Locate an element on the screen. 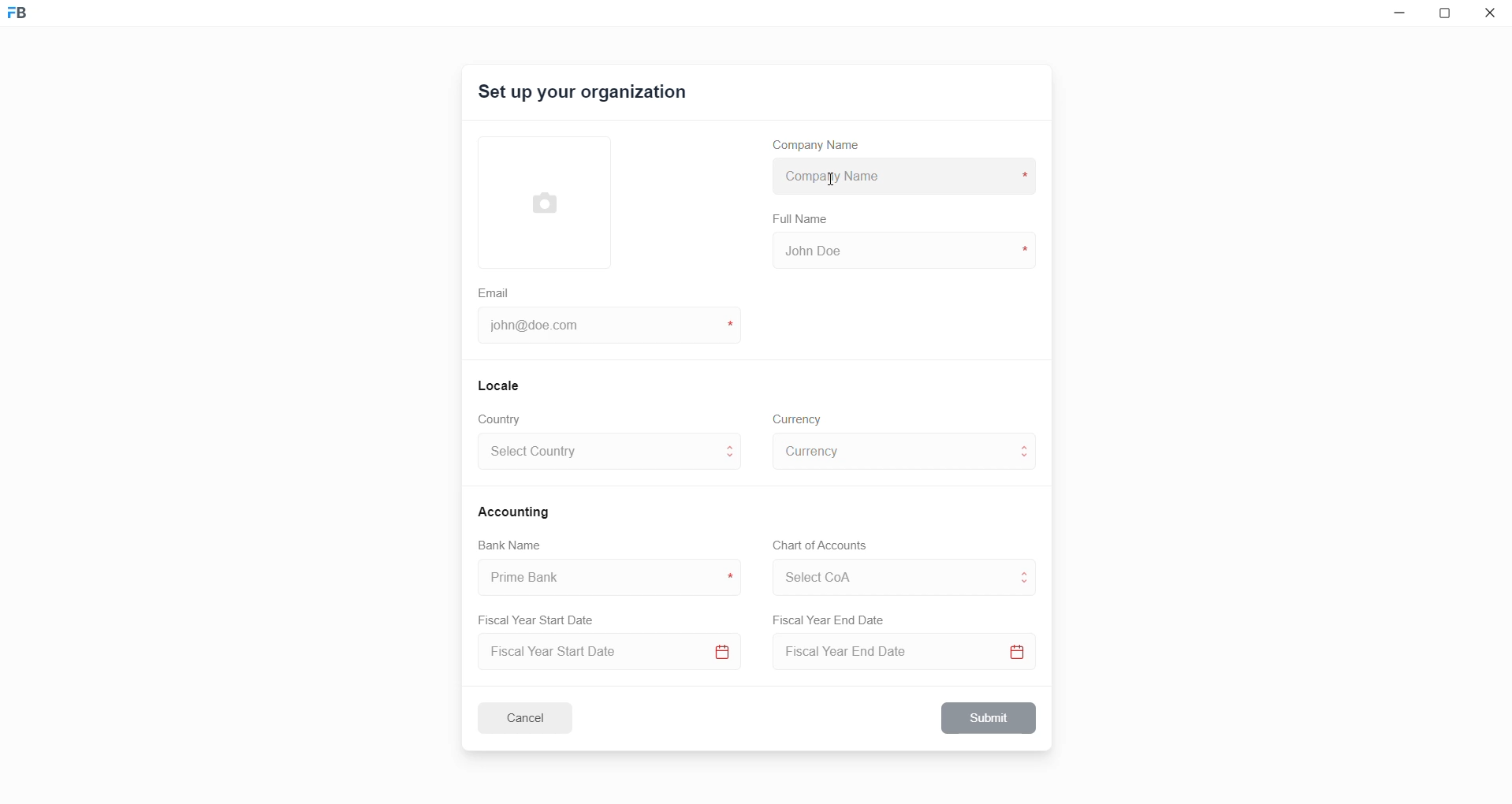 Image resolution: width=1512 pixels, height=804 pixels. Country is located at coordinates (503, 419).